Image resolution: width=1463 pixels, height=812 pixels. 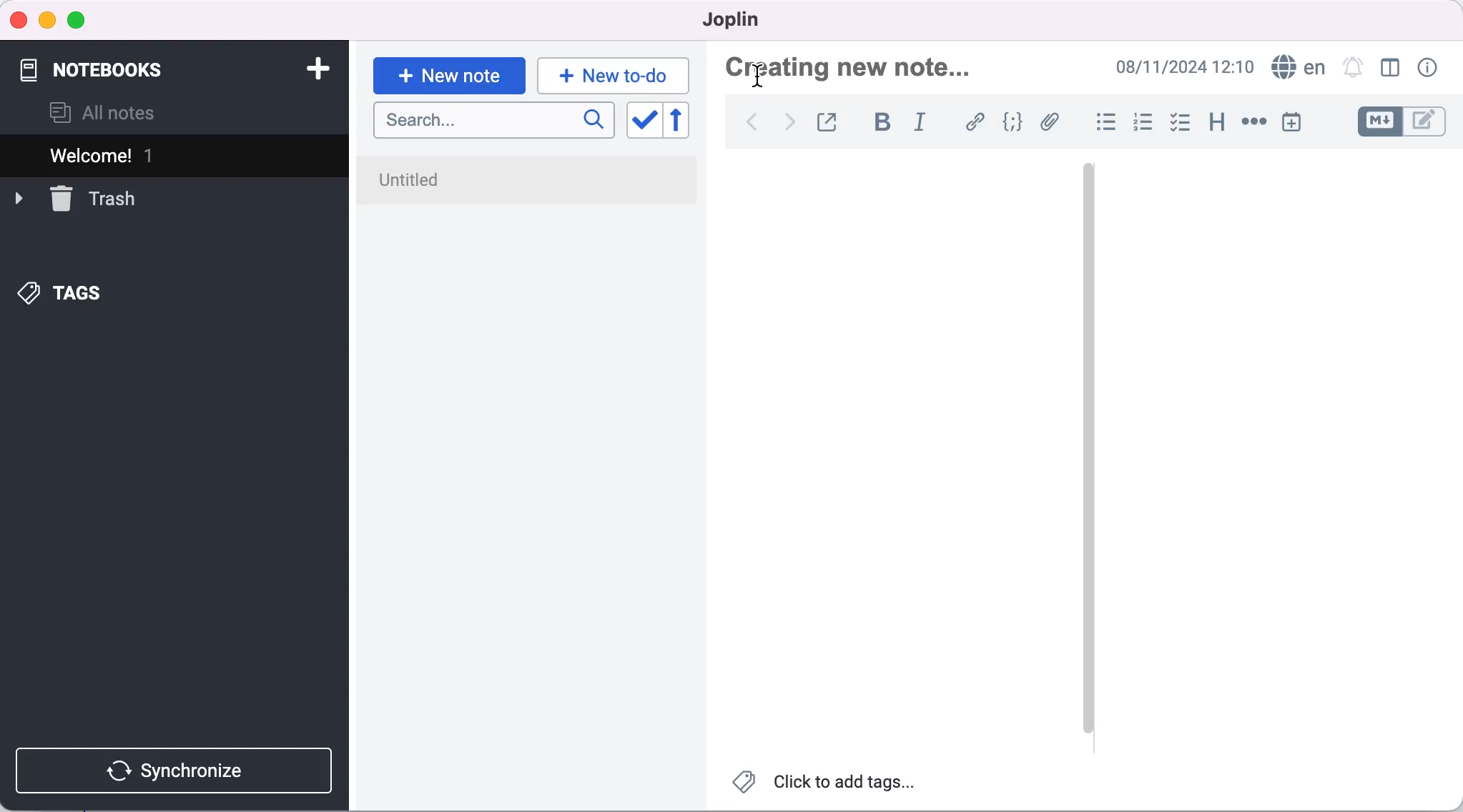 What do you see at coordinates (75, 291) in the screenshot?
I see `tags` at bounding box center [75, 291].